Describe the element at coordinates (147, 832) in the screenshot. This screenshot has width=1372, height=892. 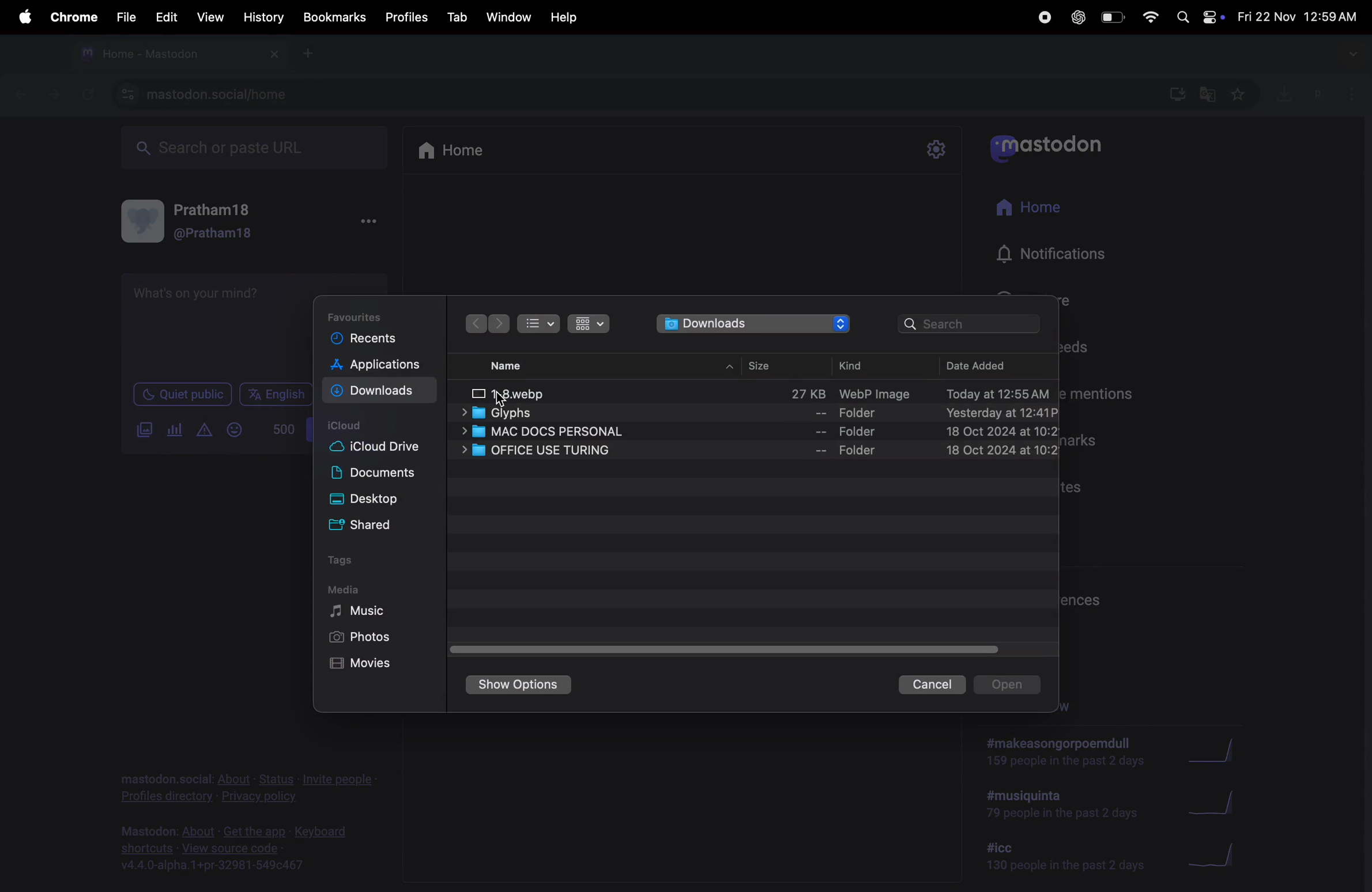
I see `mastodon` at that location.